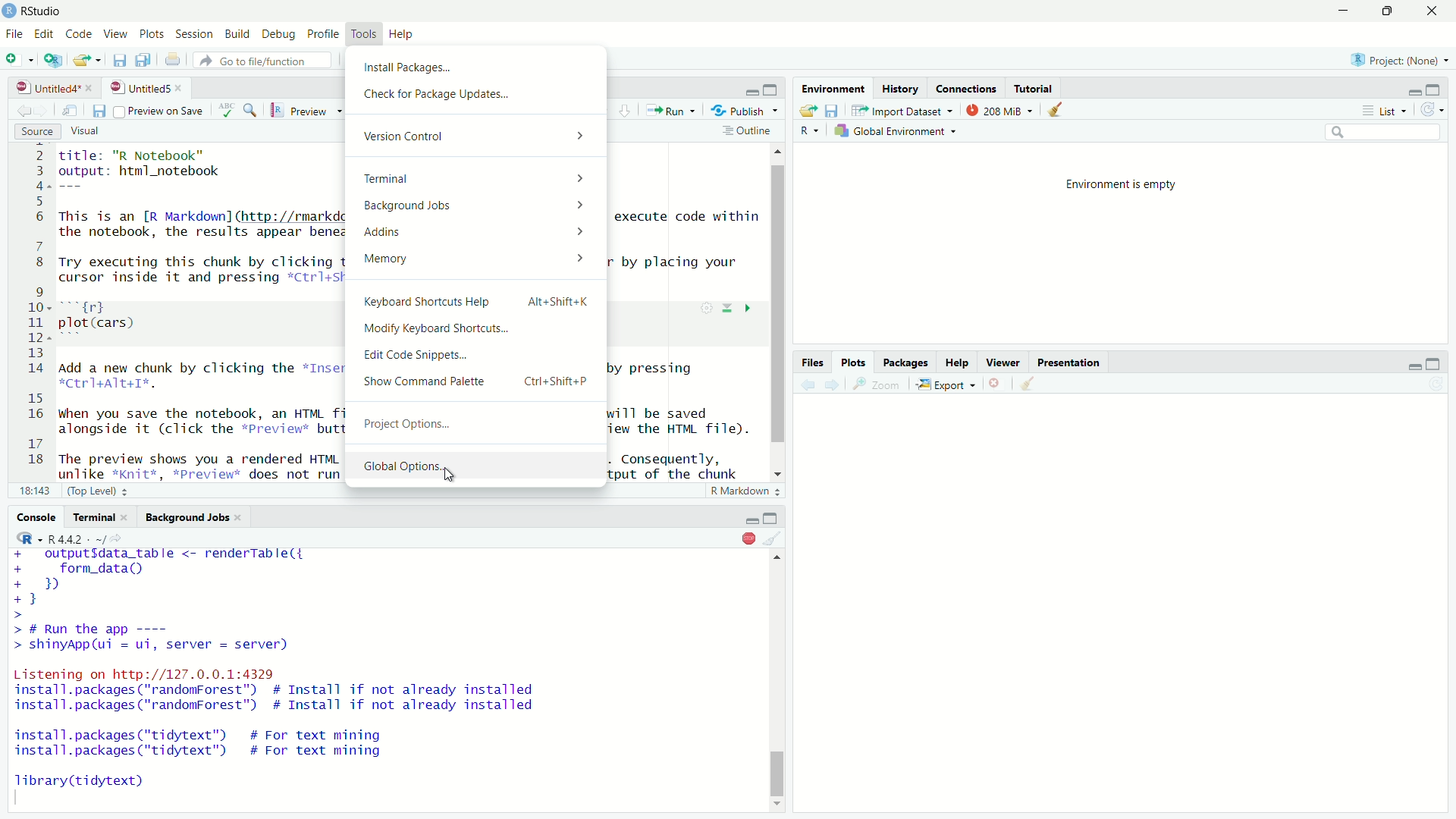 The image size is (1456, 819). Describe the element at coordinates (34, 490) in the screenshot. I see `18:143` at that location.